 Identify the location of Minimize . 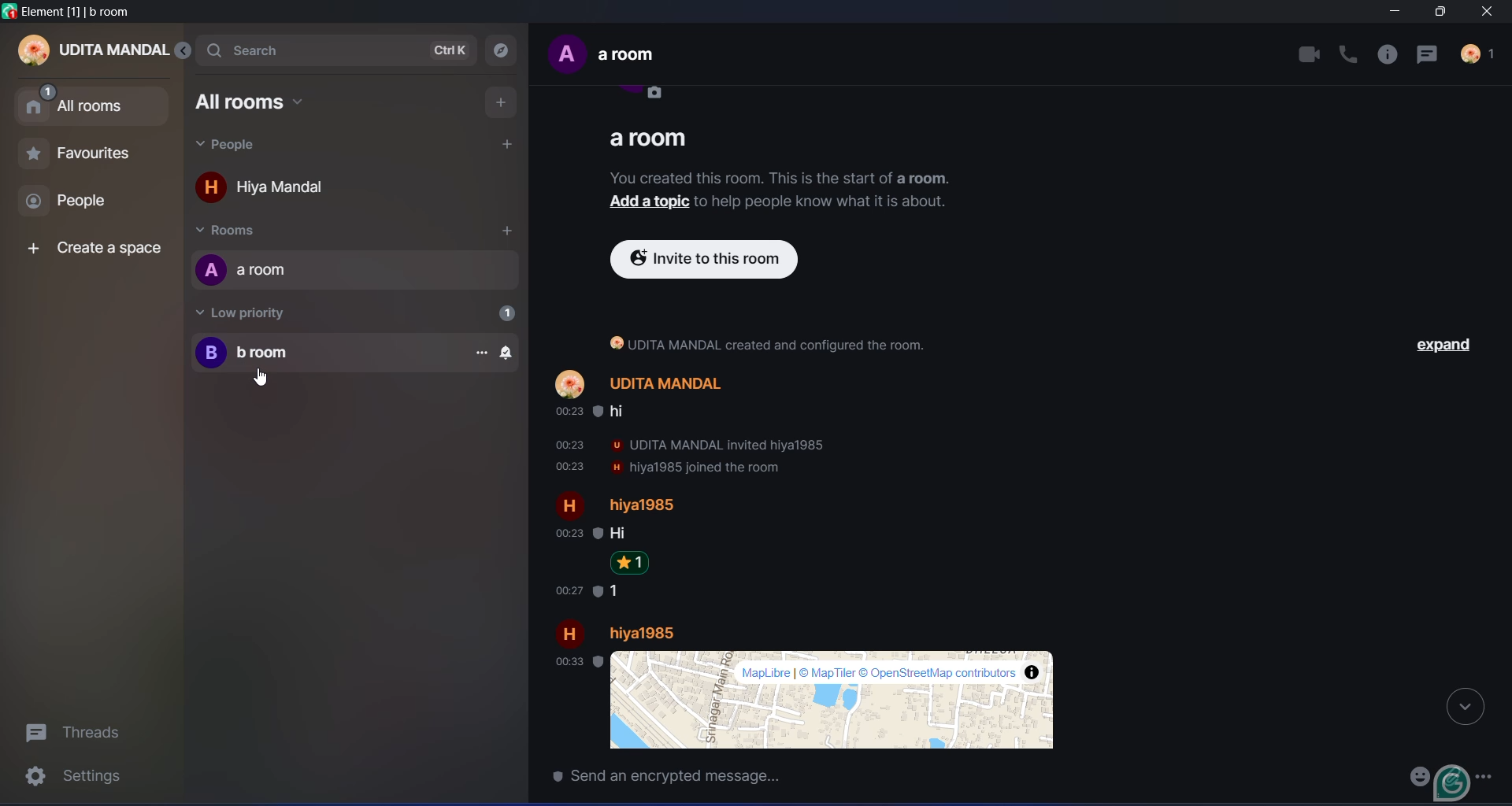
(1392, 13).